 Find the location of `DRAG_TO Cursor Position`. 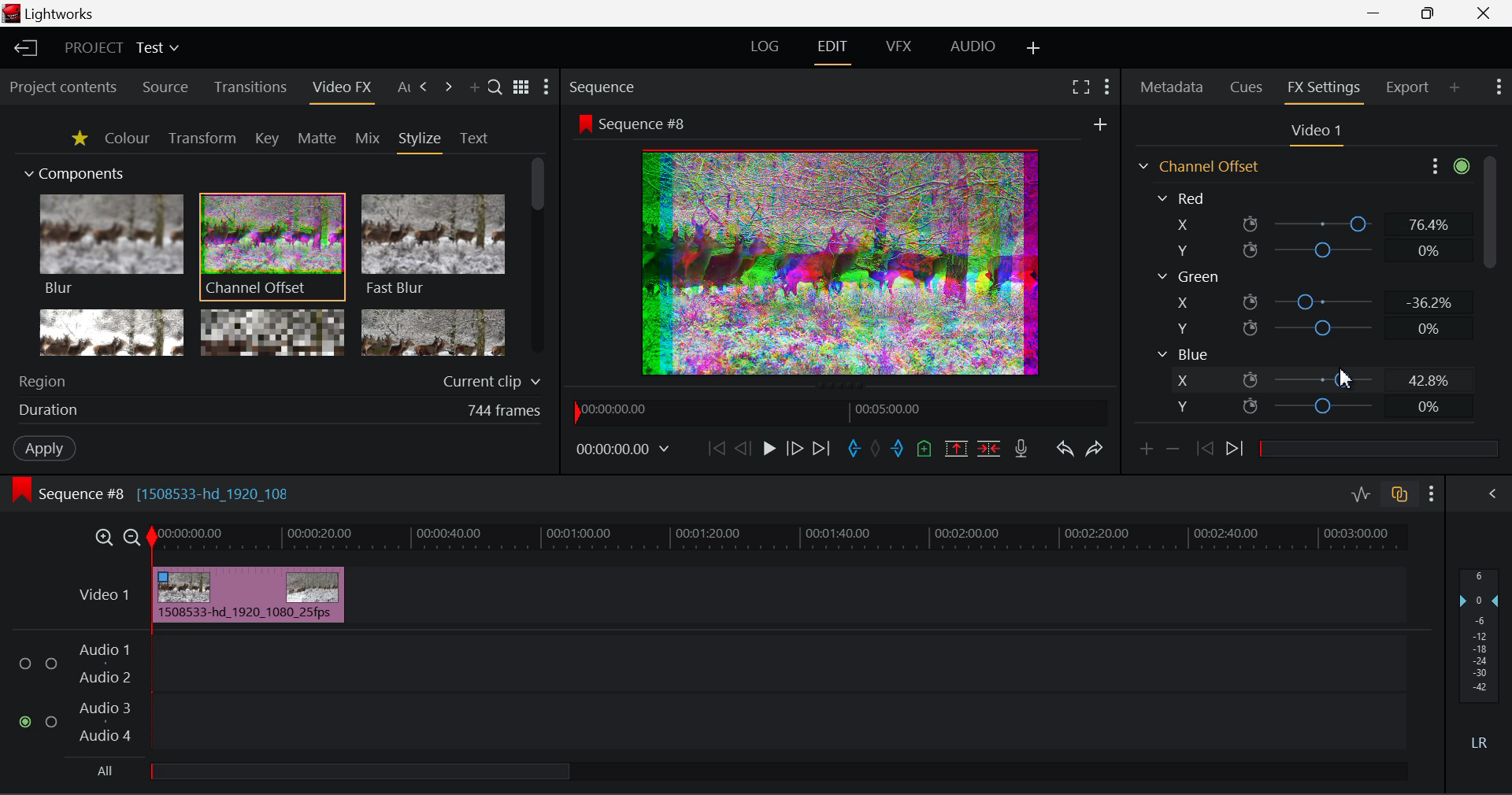

DRAG_TO Cursor Position is located at coordinates (1343, 378).